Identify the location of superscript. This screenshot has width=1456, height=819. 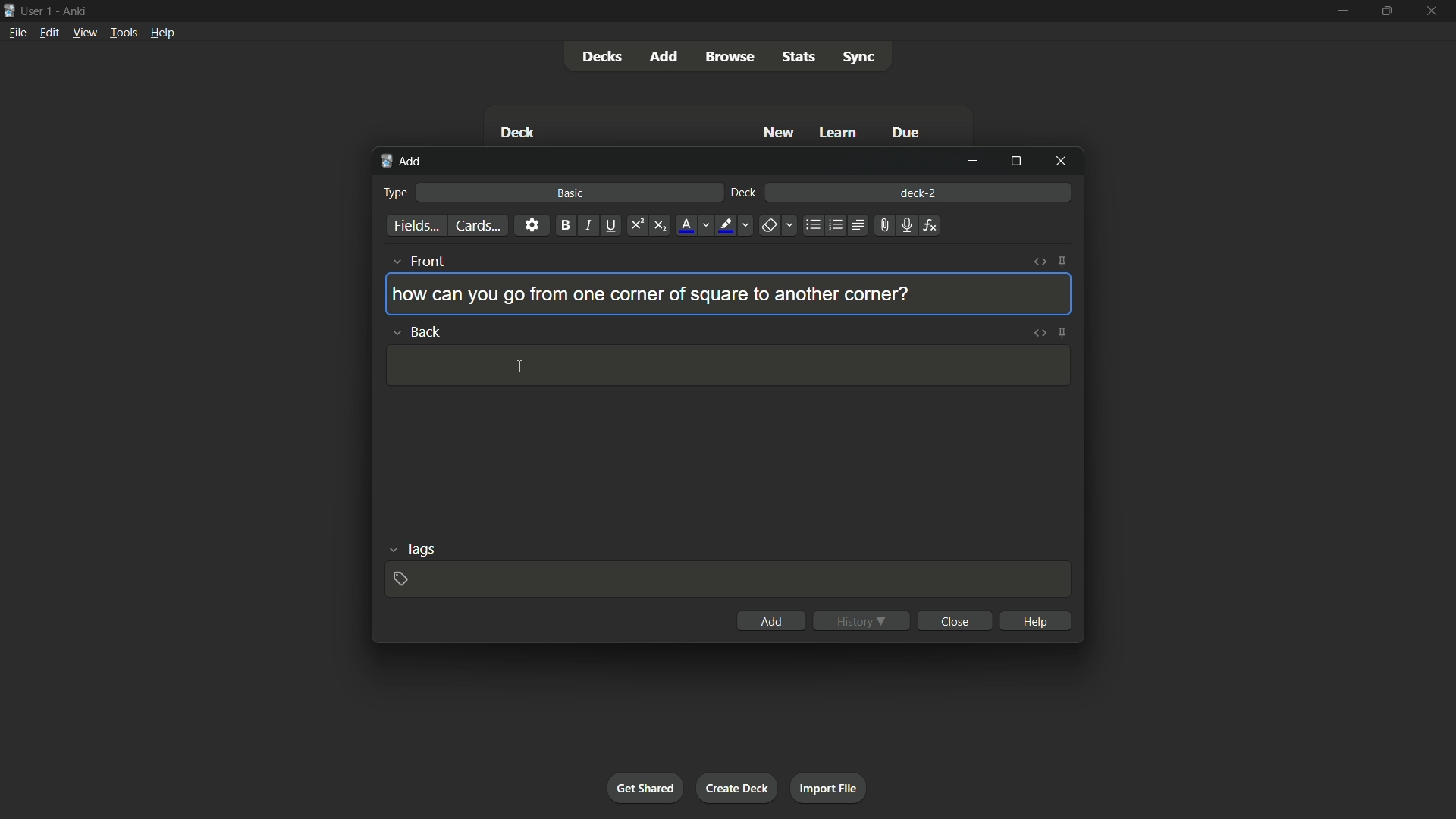
(637, 226).